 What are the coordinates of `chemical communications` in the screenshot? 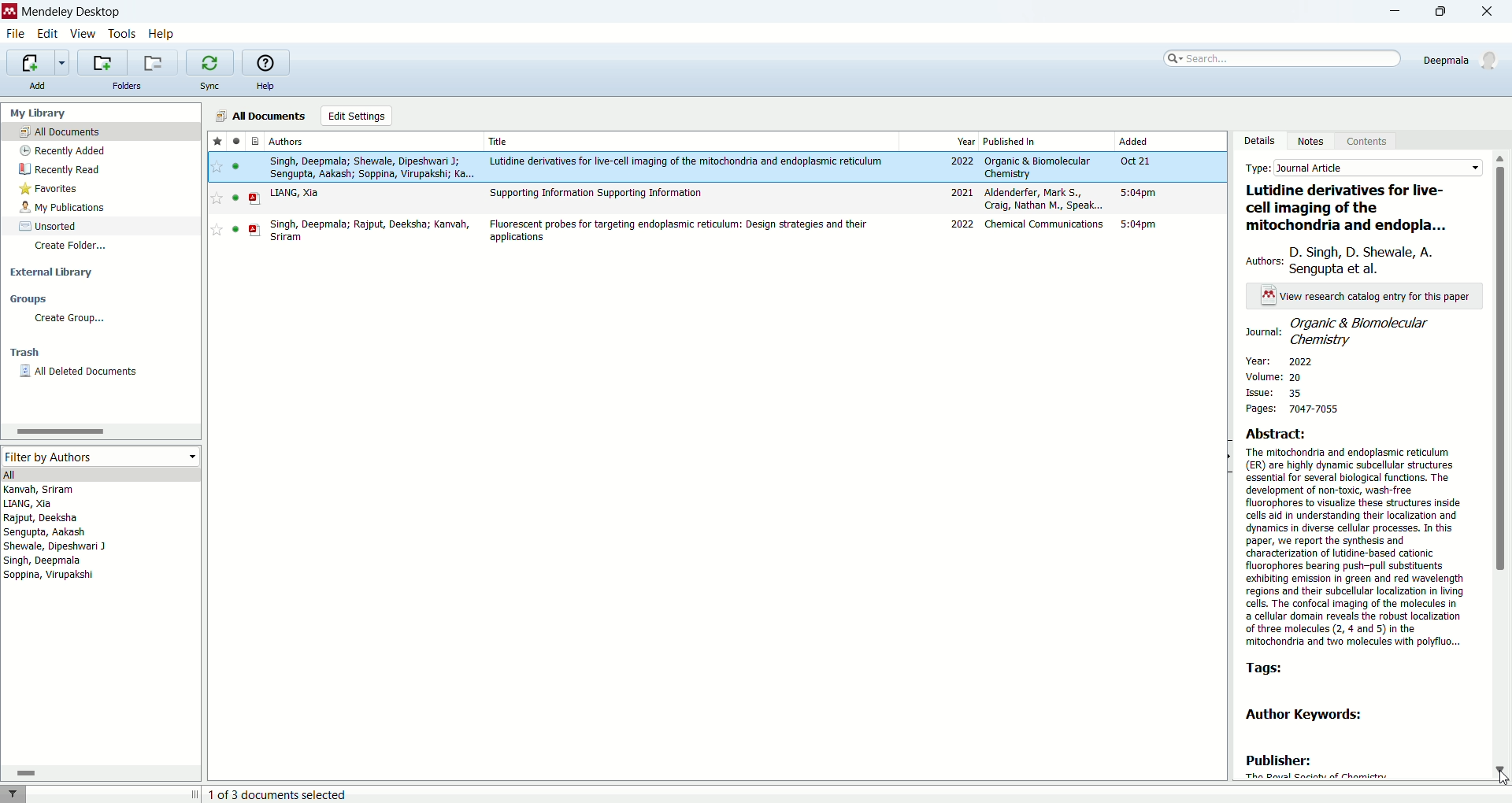 It's located at (1046, 224).